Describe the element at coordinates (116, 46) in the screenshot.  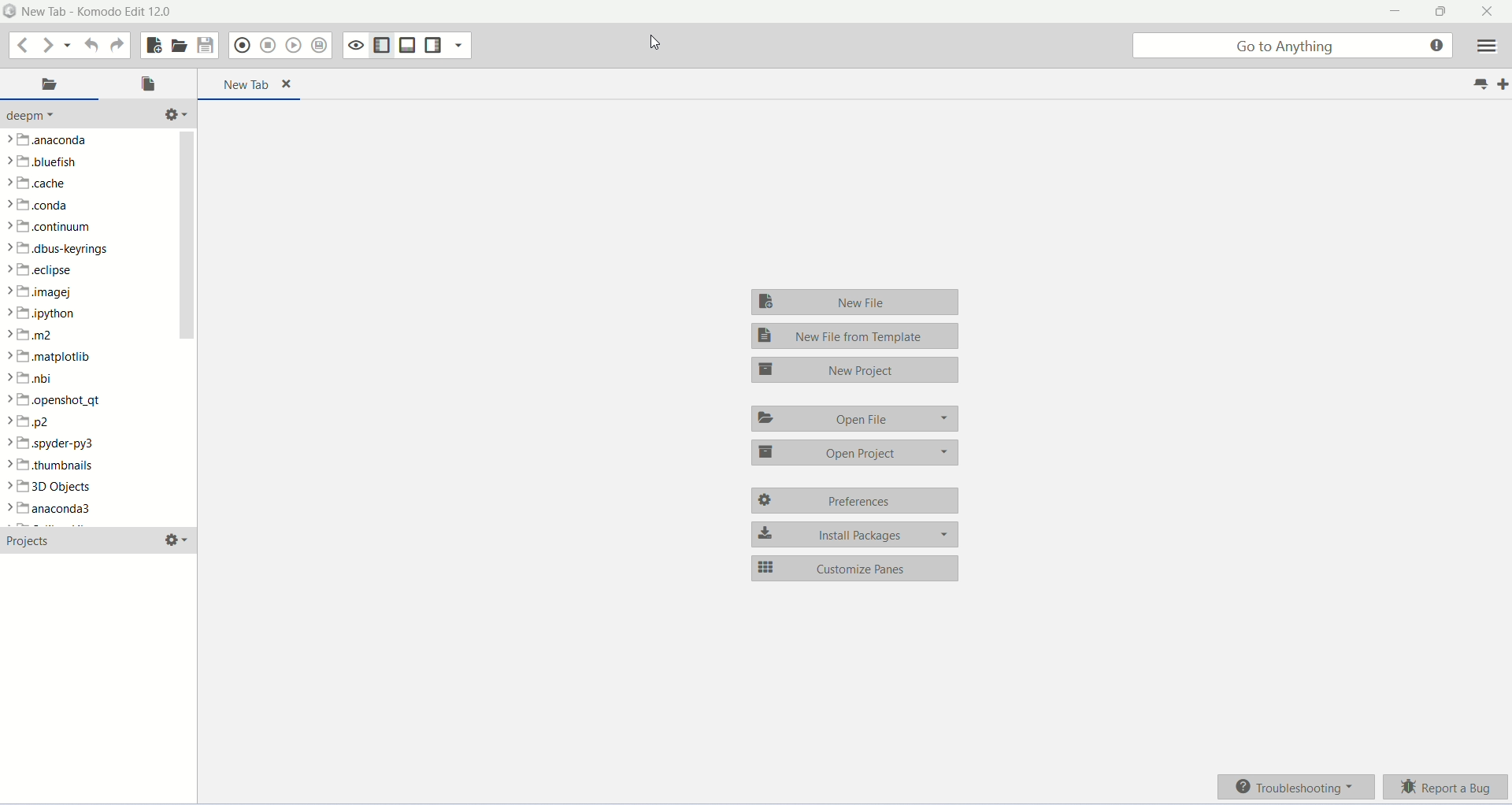
I see `redo` at that location.